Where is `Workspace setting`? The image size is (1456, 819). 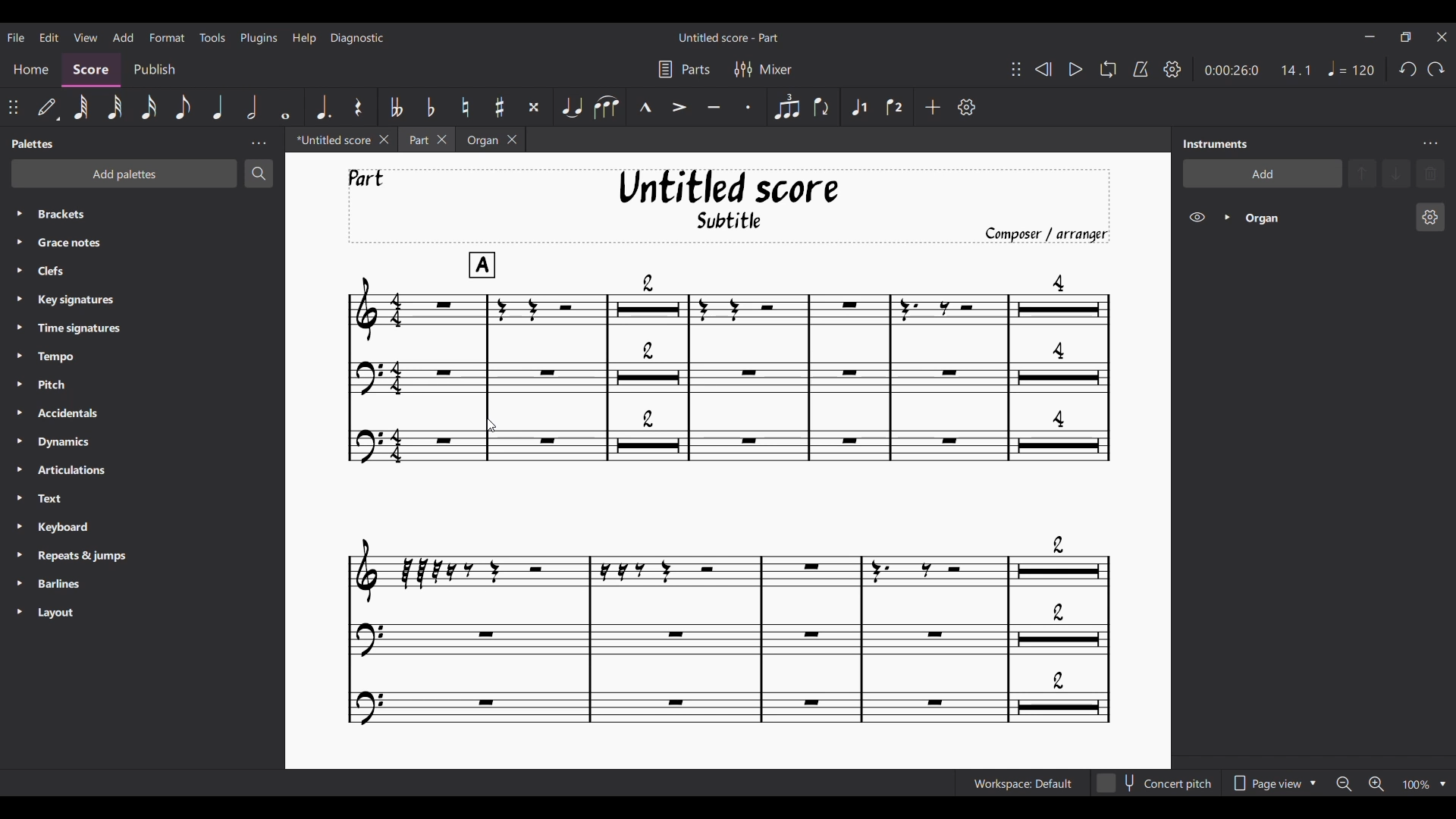 Workspace setting is located at coordinates (1022, 783).